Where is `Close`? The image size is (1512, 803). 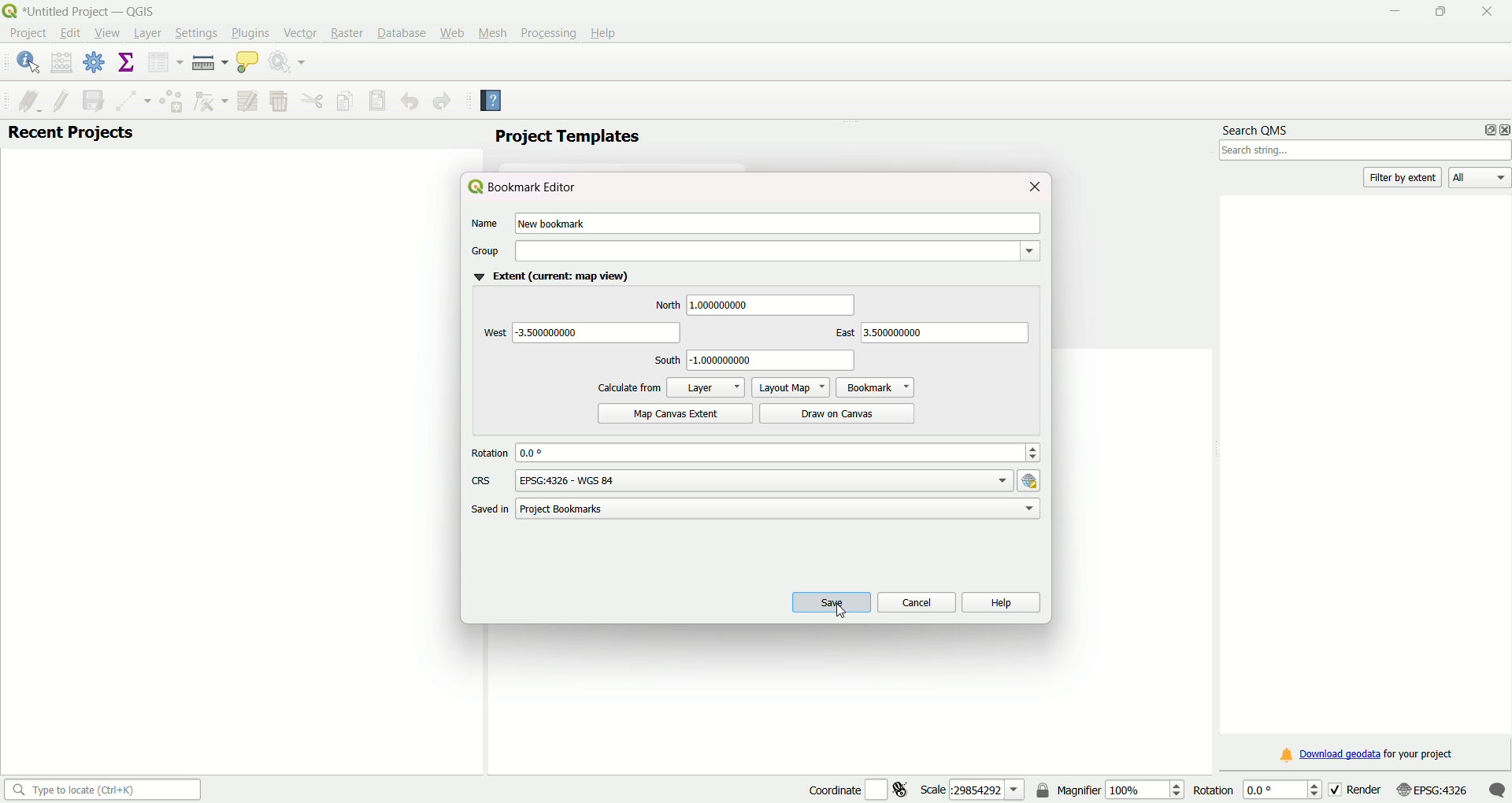 Close is located at coordinates (1483, 12).